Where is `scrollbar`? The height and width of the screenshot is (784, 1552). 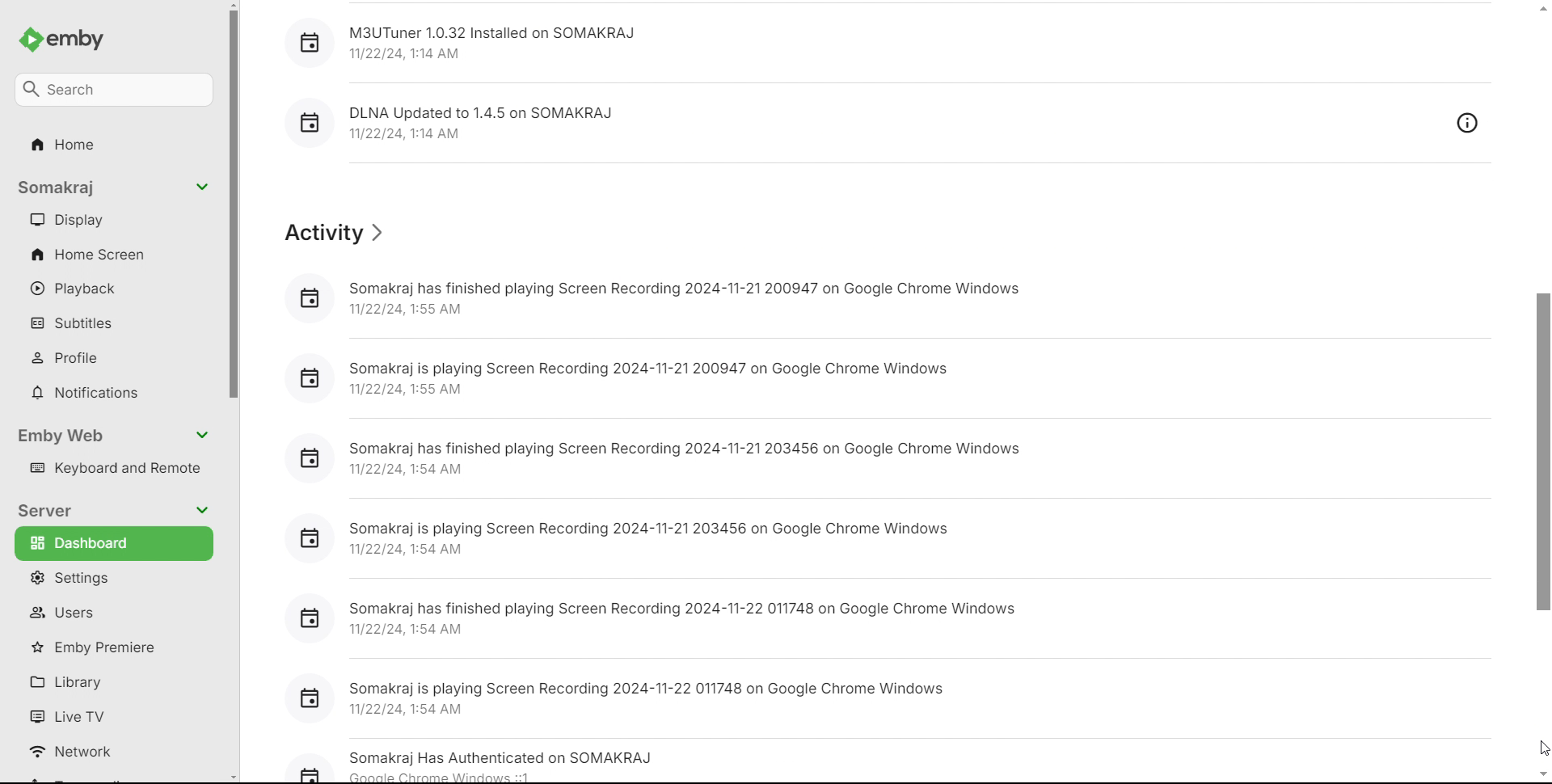 scrollbar is located at coordinates (236, 393).